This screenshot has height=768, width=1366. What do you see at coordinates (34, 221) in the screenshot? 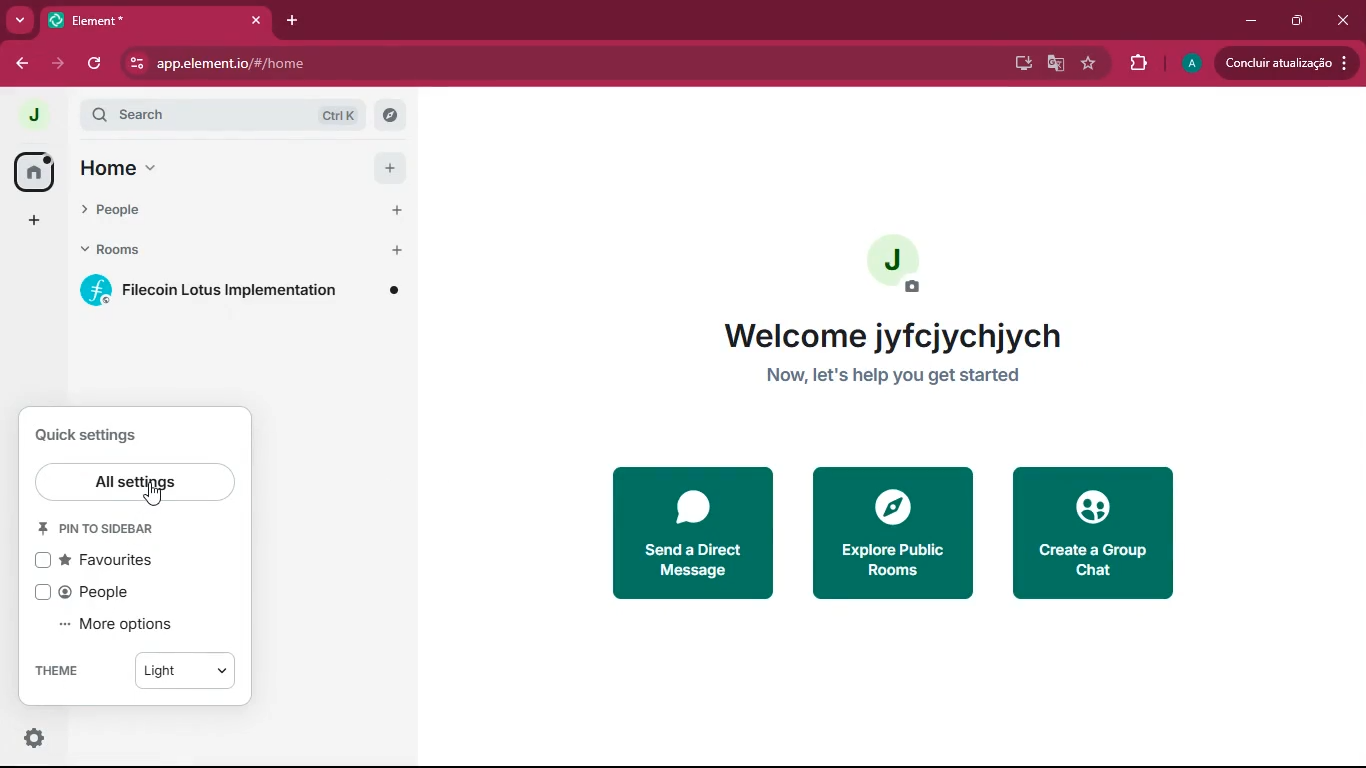
I see `add` at bounding box center [34, 221].